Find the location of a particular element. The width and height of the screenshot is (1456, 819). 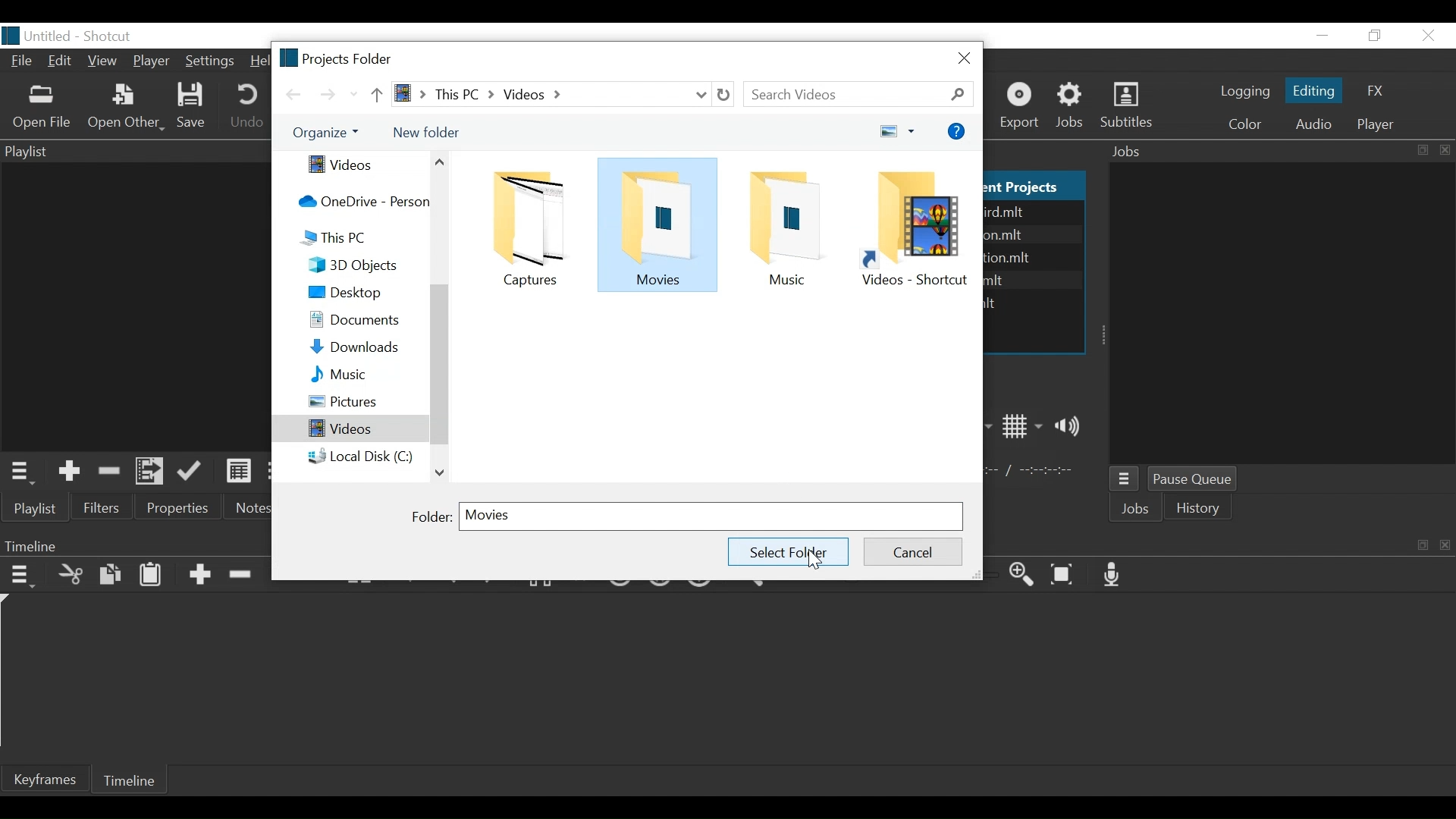

Search bar is located at coordinates (855, 93).